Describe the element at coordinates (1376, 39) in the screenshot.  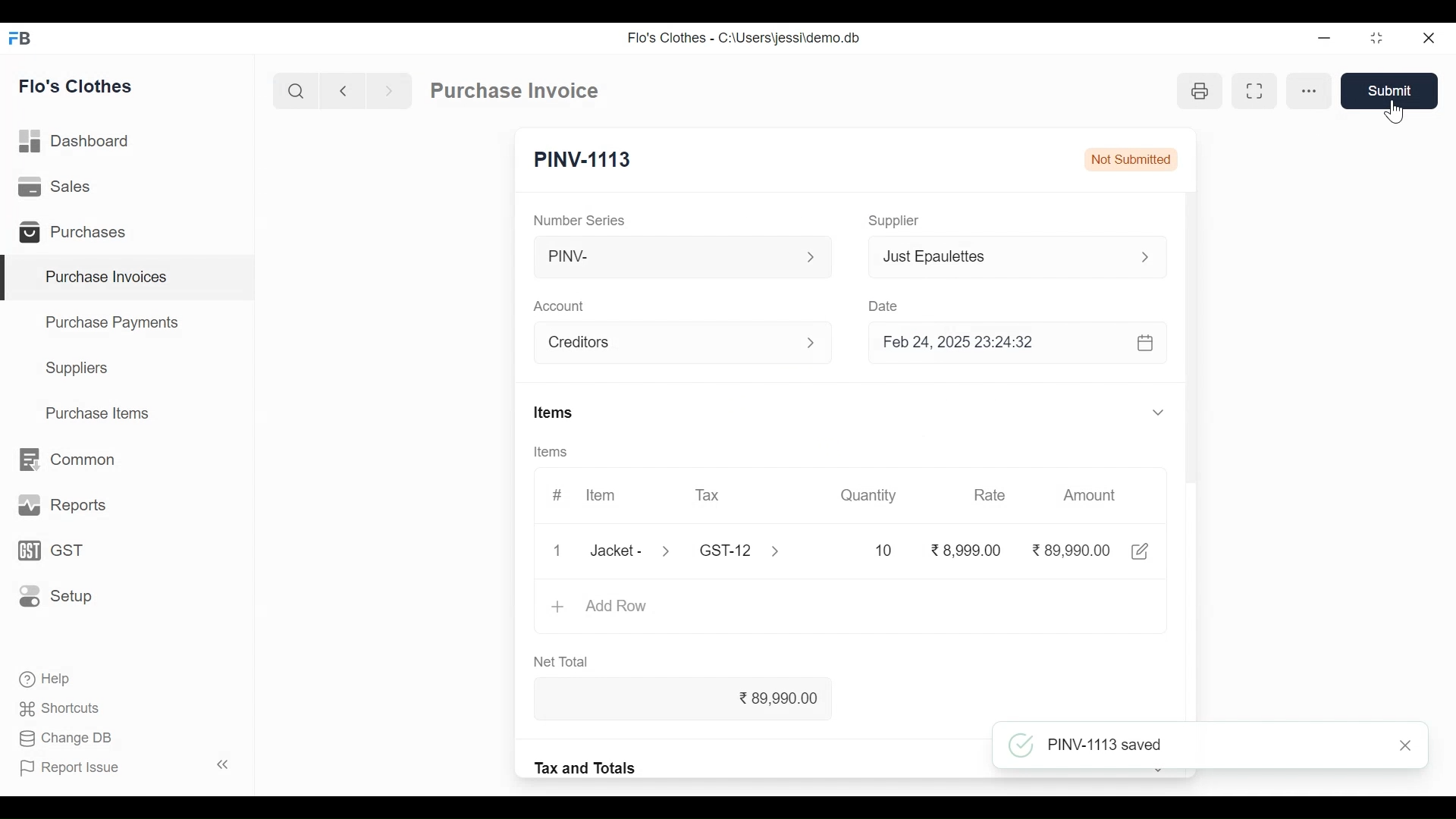
I see `Restore` at that location.